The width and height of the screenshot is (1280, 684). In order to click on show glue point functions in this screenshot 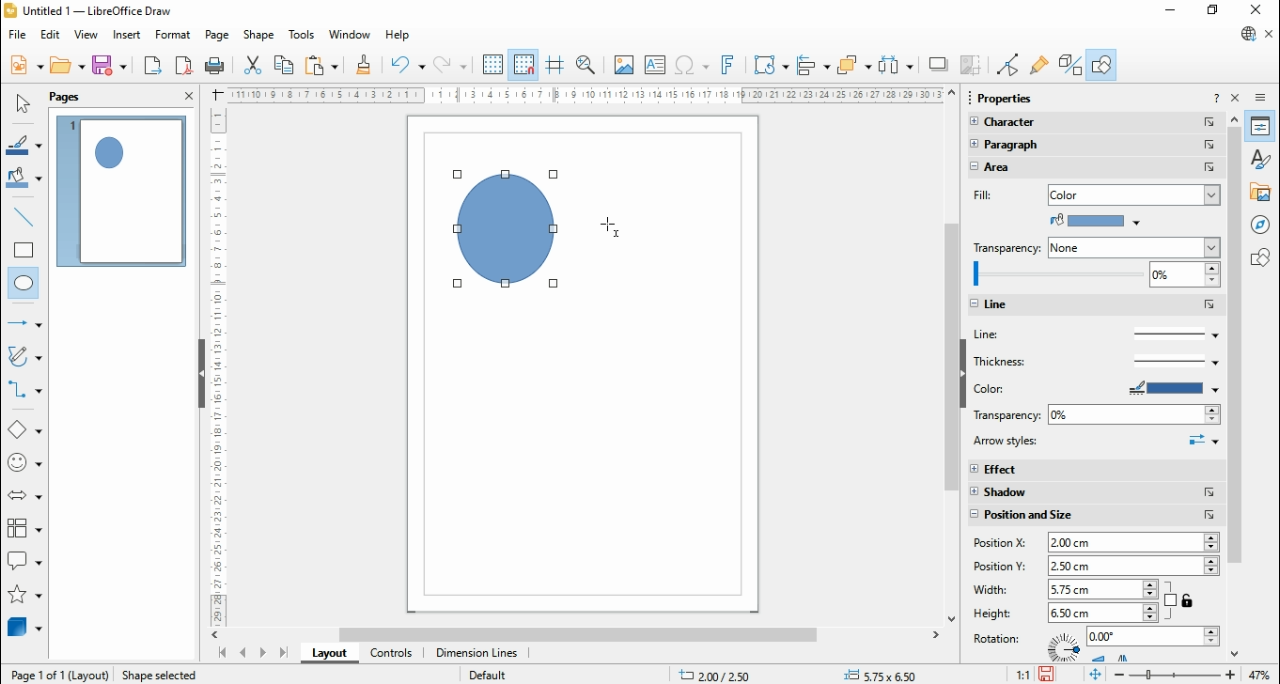, I will do `click(1041, 64)`.